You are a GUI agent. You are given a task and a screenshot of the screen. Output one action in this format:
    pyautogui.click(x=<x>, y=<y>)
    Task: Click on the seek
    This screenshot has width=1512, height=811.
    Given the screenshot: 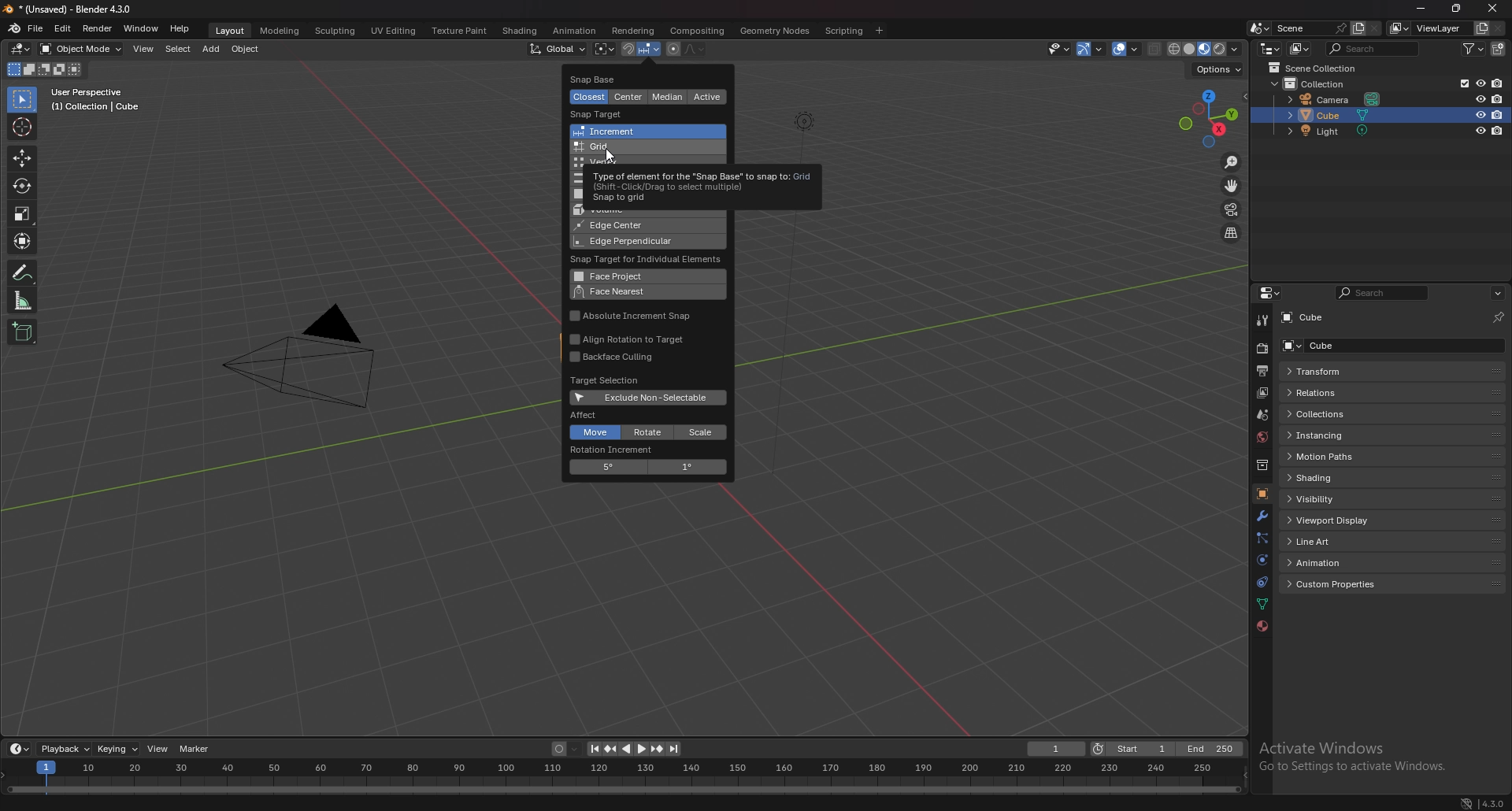 What is the action you would take?
    pyautogui.click(x=622, y=776)
    